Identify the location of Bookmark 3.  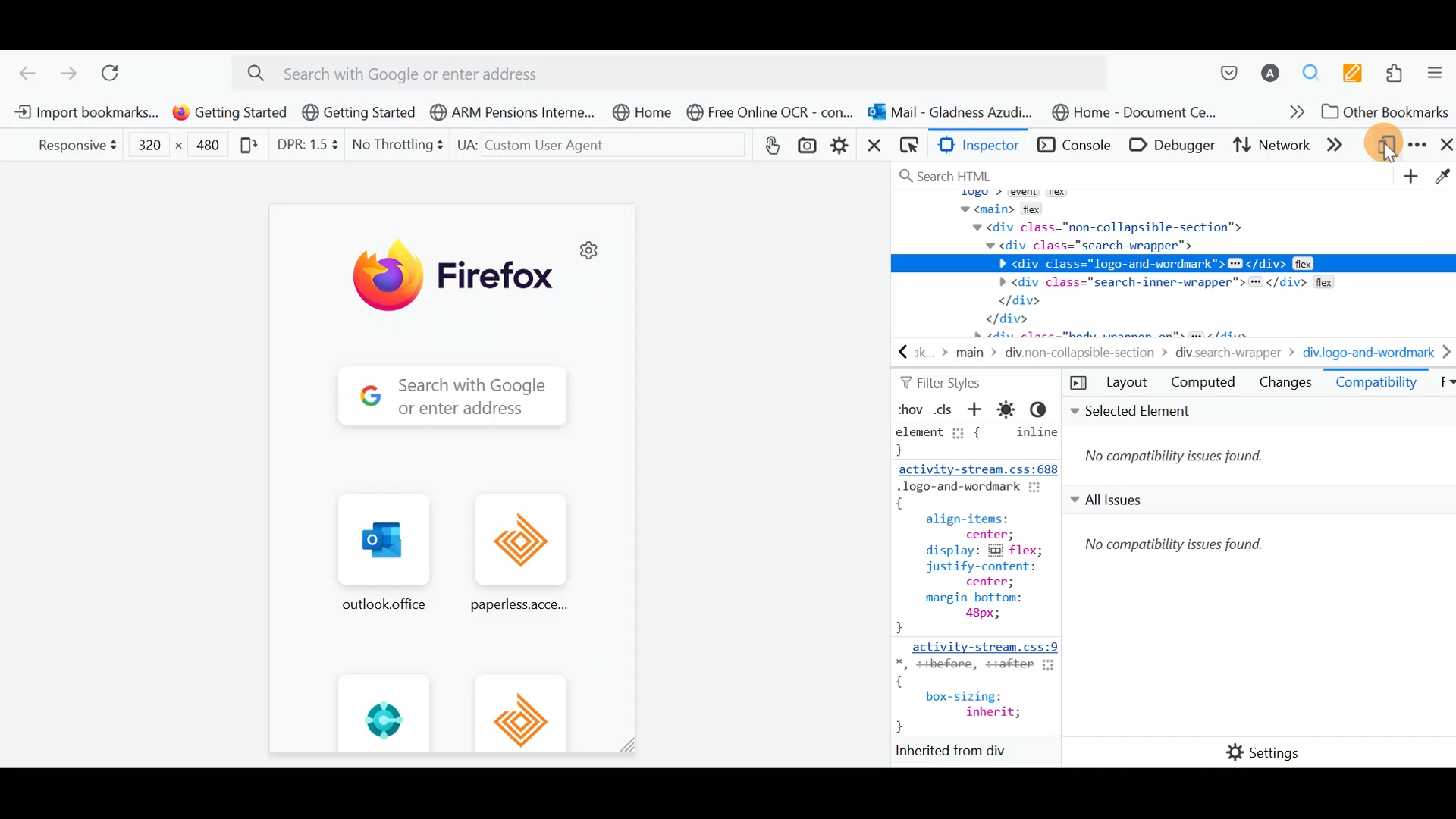
(359, 114).